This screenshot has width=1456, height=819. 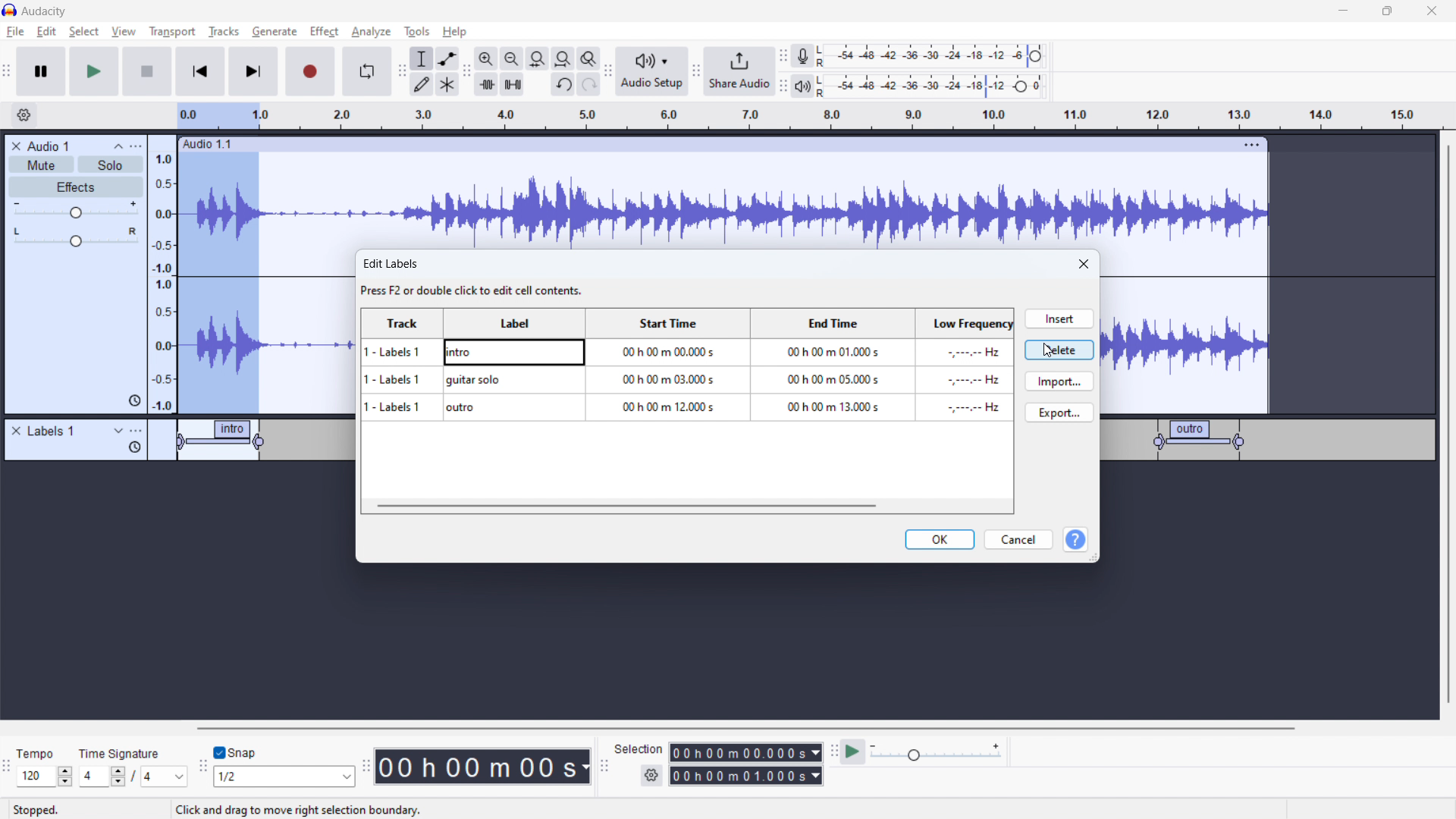 I want to click on selection end time, so click(x=747, y=776).